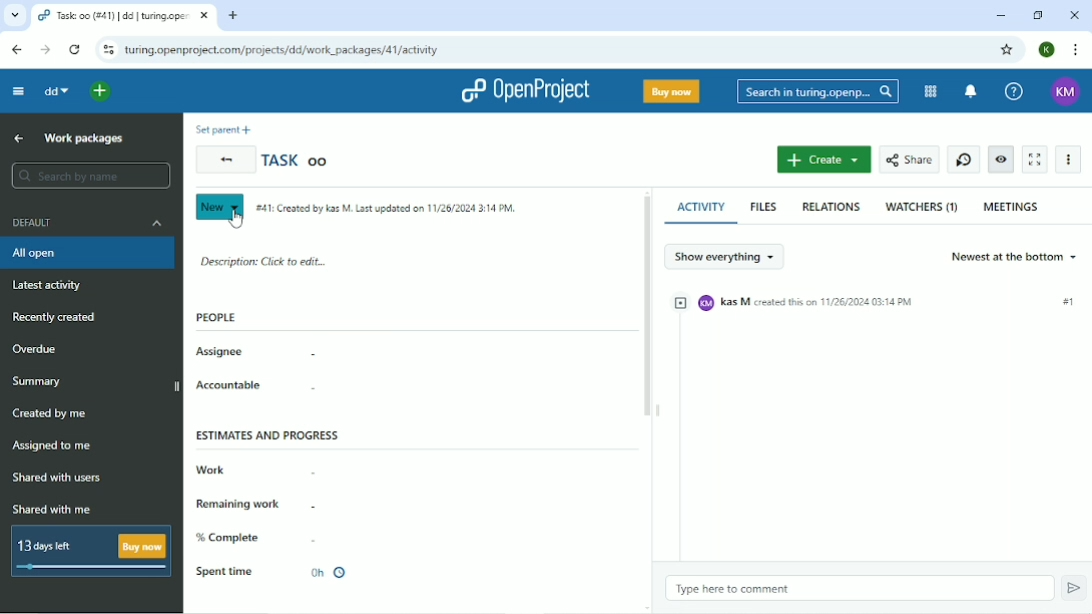 This screenshot has height=614, width=1092. What do you see at coordinates (970, 91) in the screenshot?
I see `To notification center` at bounding box center [970, 91].